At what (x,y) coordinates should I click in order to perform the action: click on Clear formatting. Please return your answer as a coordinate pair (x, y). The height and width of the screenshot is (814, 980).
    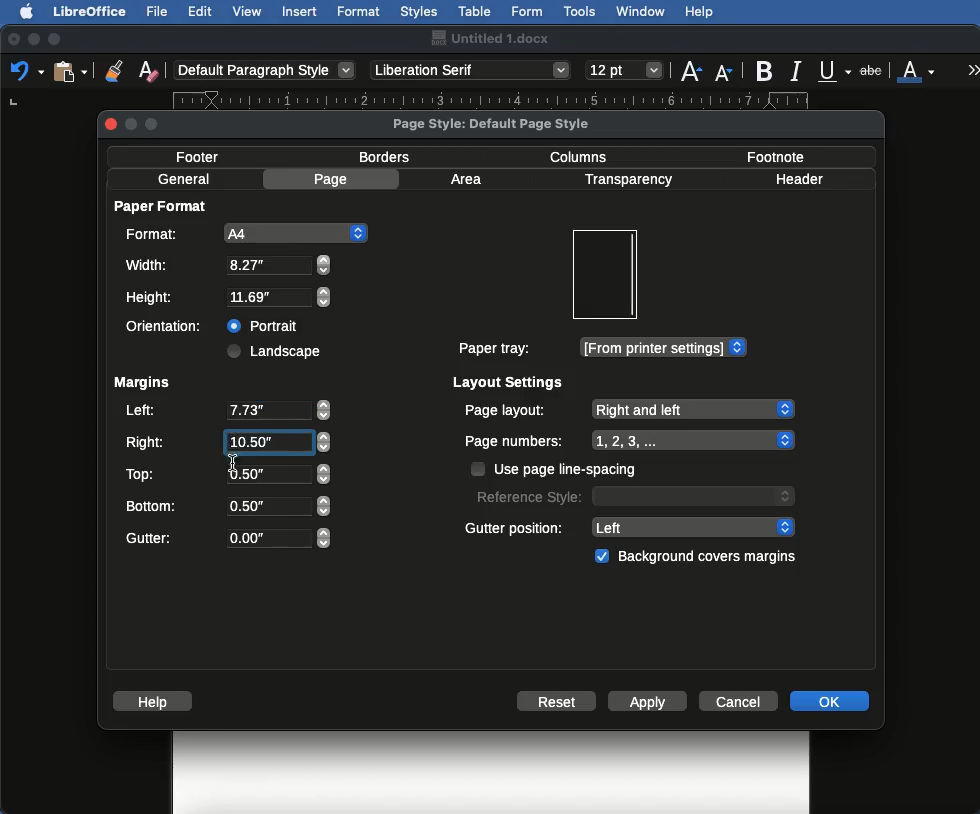
    Looking at the image, I should click on (148, 69).